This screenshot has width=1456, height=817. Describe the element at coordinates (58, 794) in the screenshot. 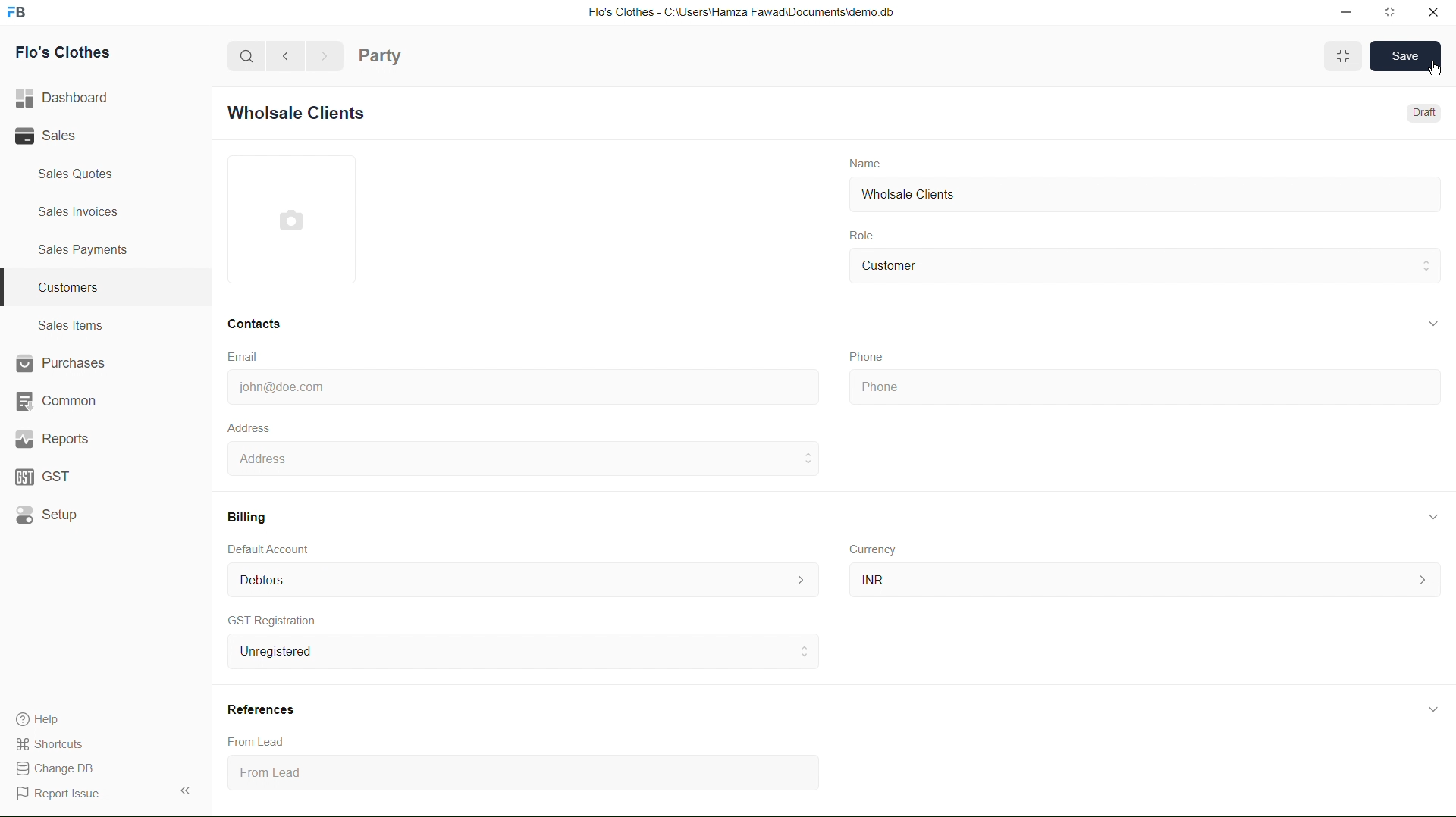

I see `Report Issue` at that location.